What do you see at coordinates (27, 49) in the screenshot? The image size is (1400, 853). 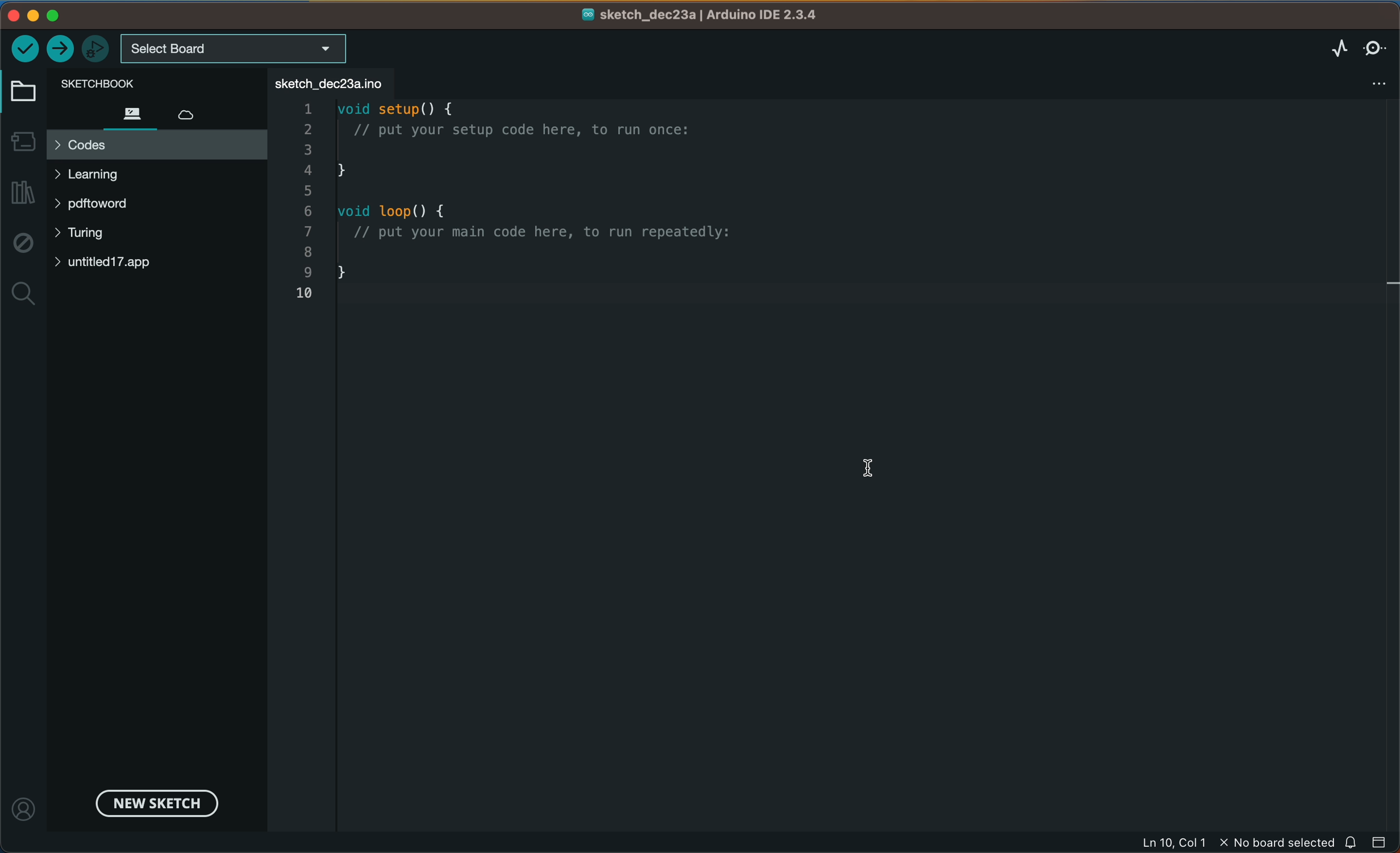 I see `verify` at bounding box center [27, 49].